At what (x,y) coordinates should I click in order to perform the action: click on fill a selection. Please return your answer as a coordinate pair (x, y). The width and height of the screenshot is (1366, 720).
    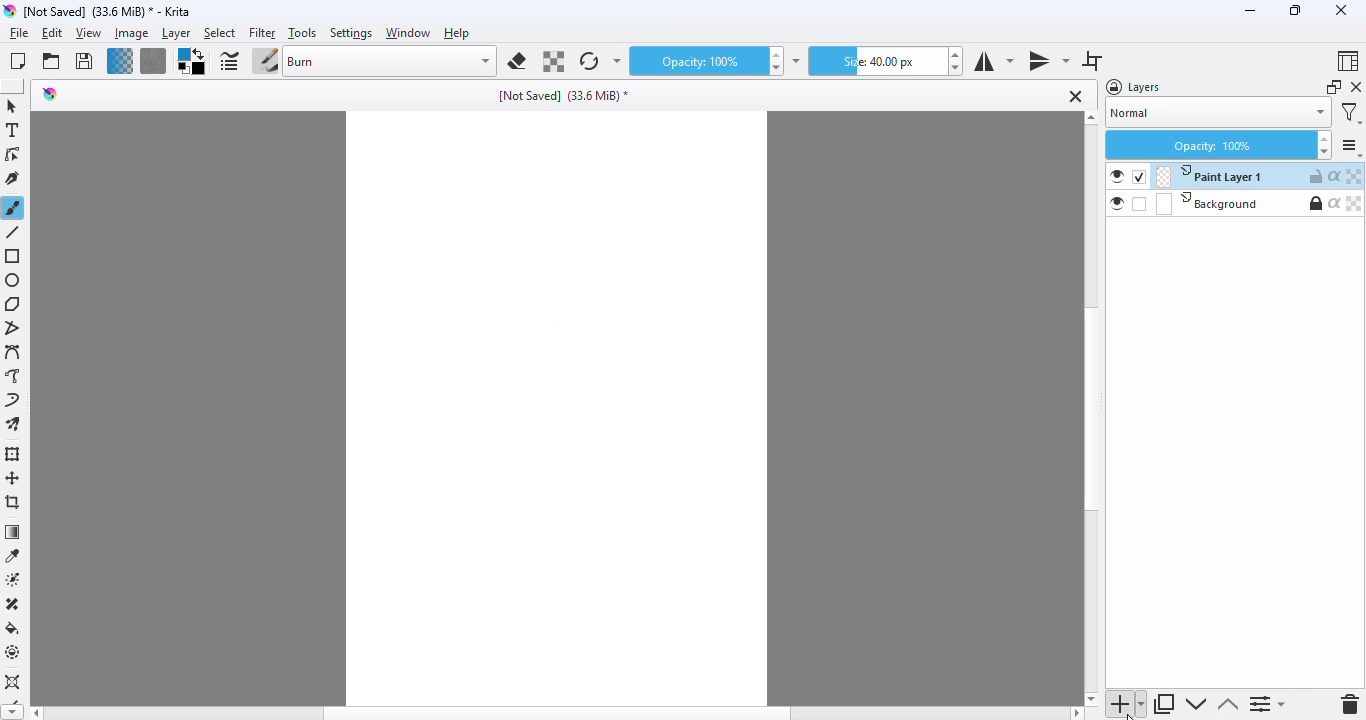
    Looking at the image, I should click on (13, 628).